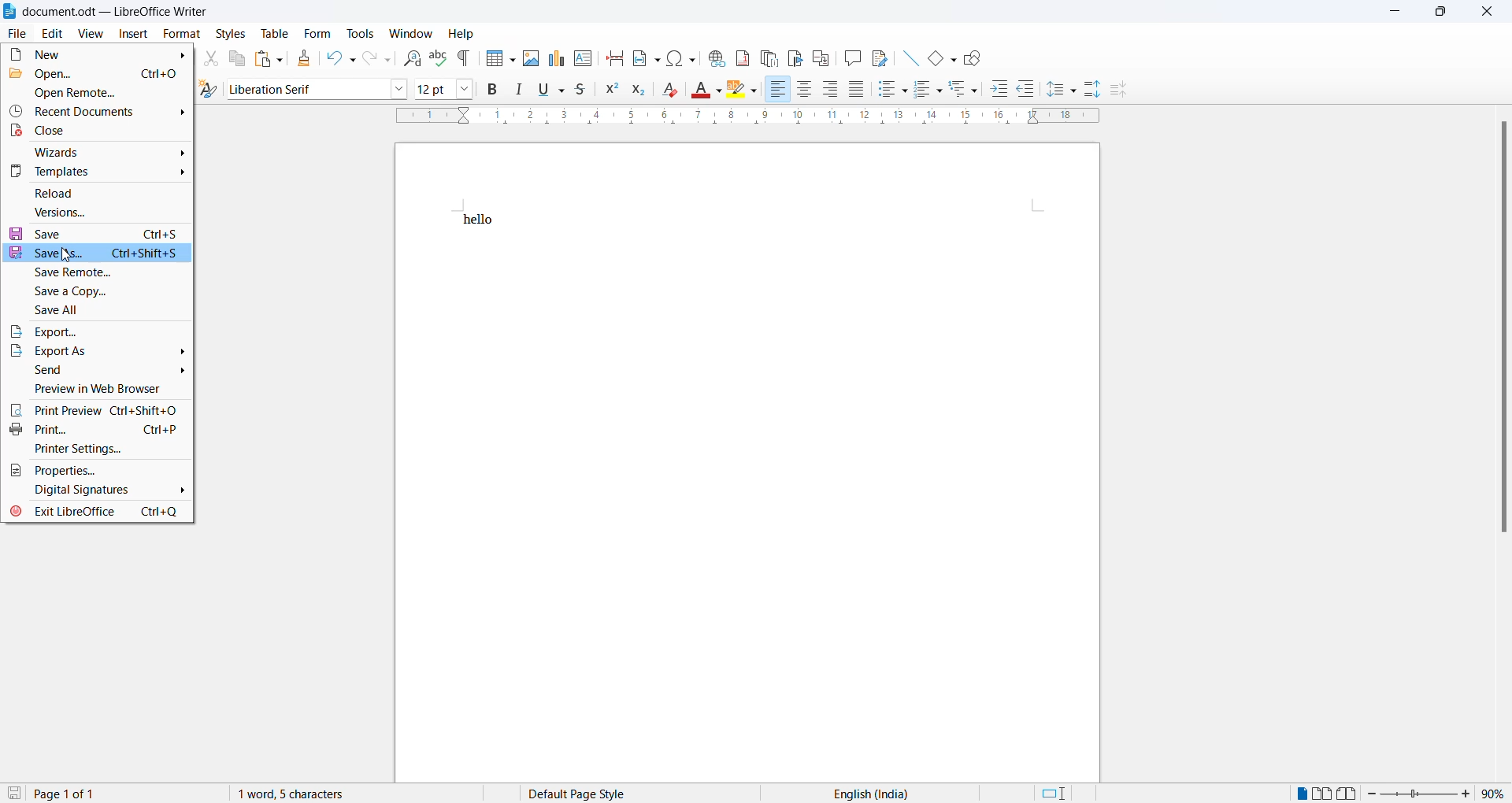 The width and height of the screenshot is (1512, 803). Describe the element at coordinates (16, 33) in the screenshot. I see `file` at that location.